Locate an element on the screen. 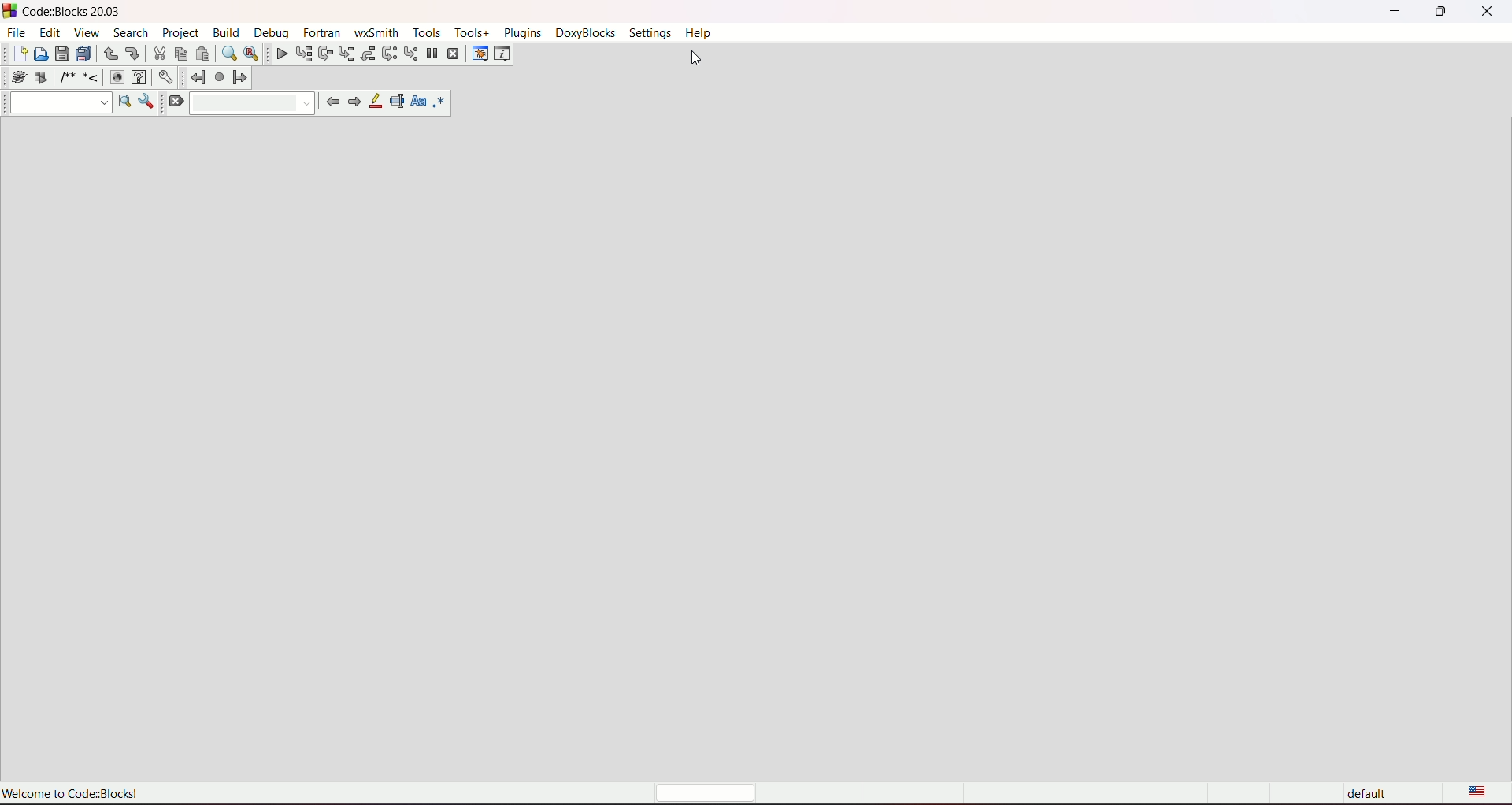 Image resolution: width=1512 pixels, height=805 pixels. tools+ is located at coordinates (469, 32).